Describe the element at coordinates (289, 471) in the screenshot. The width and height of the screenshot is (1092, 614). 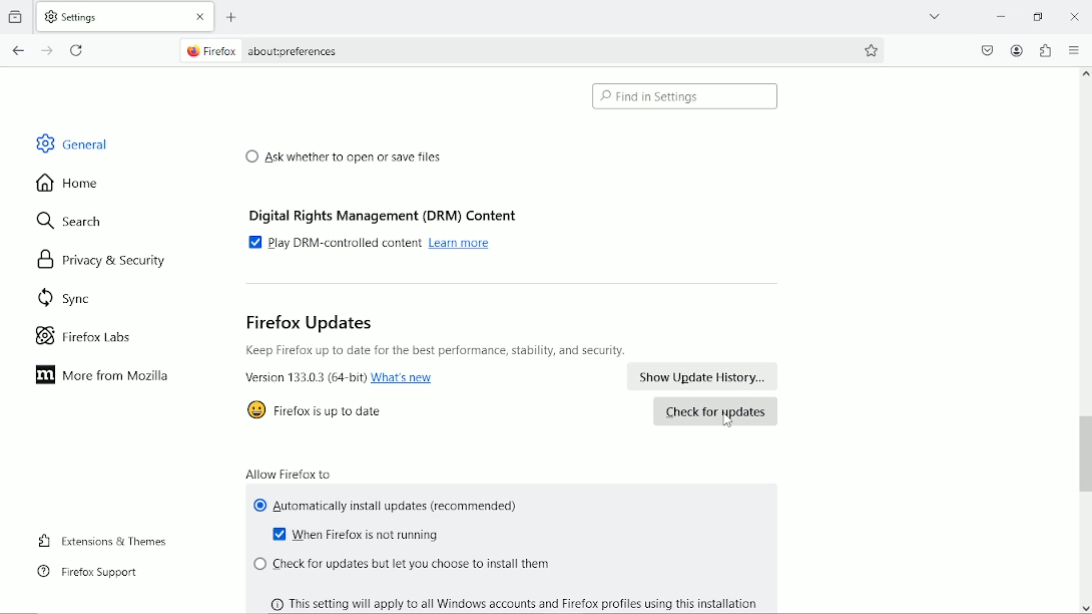
I see `Allow firefox to` at that location.